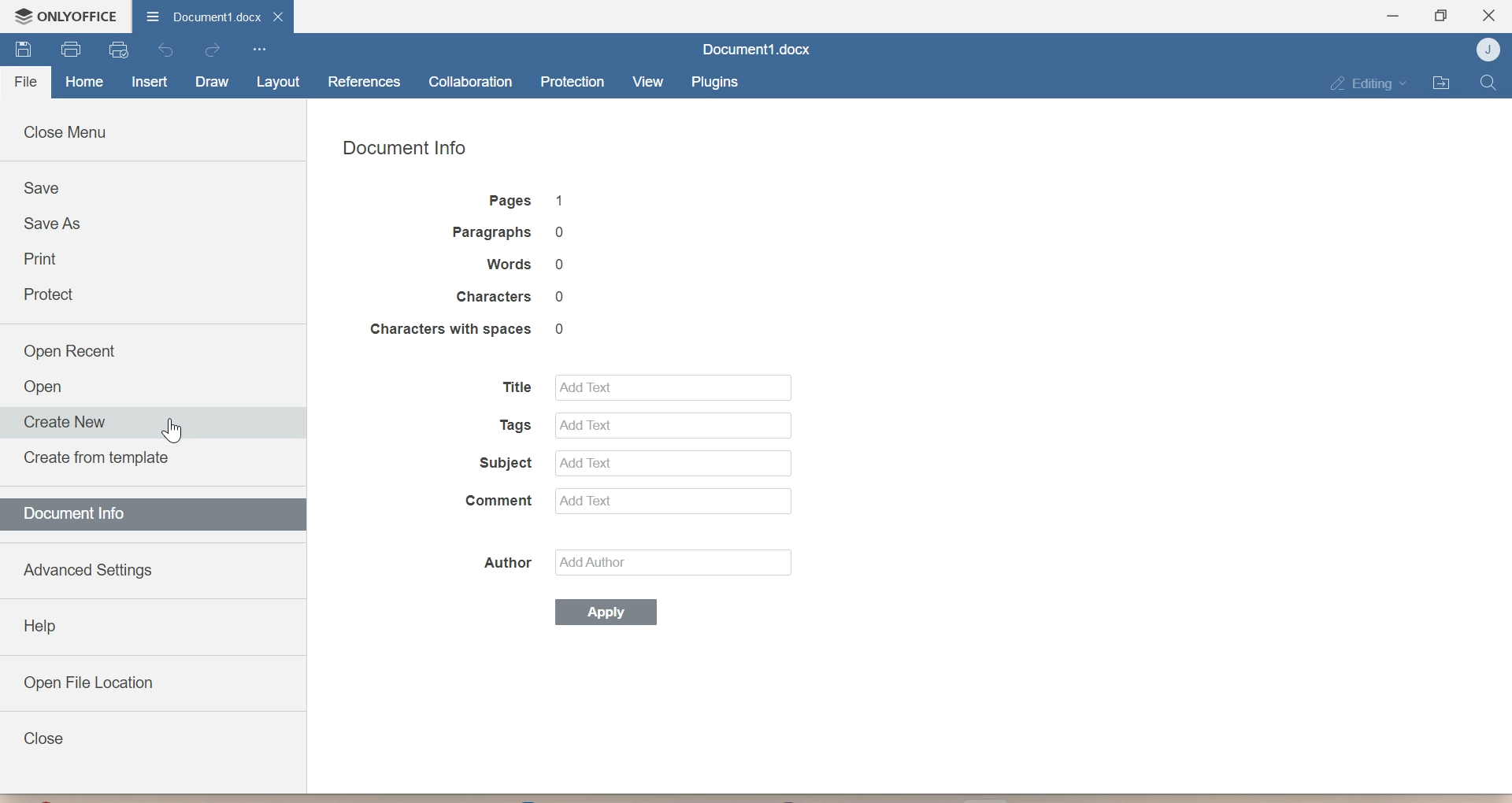 The image size is (1512, 803). Describe the element at coordinates (472, 80) in the screenshot. I see `Collaboration` at that location.